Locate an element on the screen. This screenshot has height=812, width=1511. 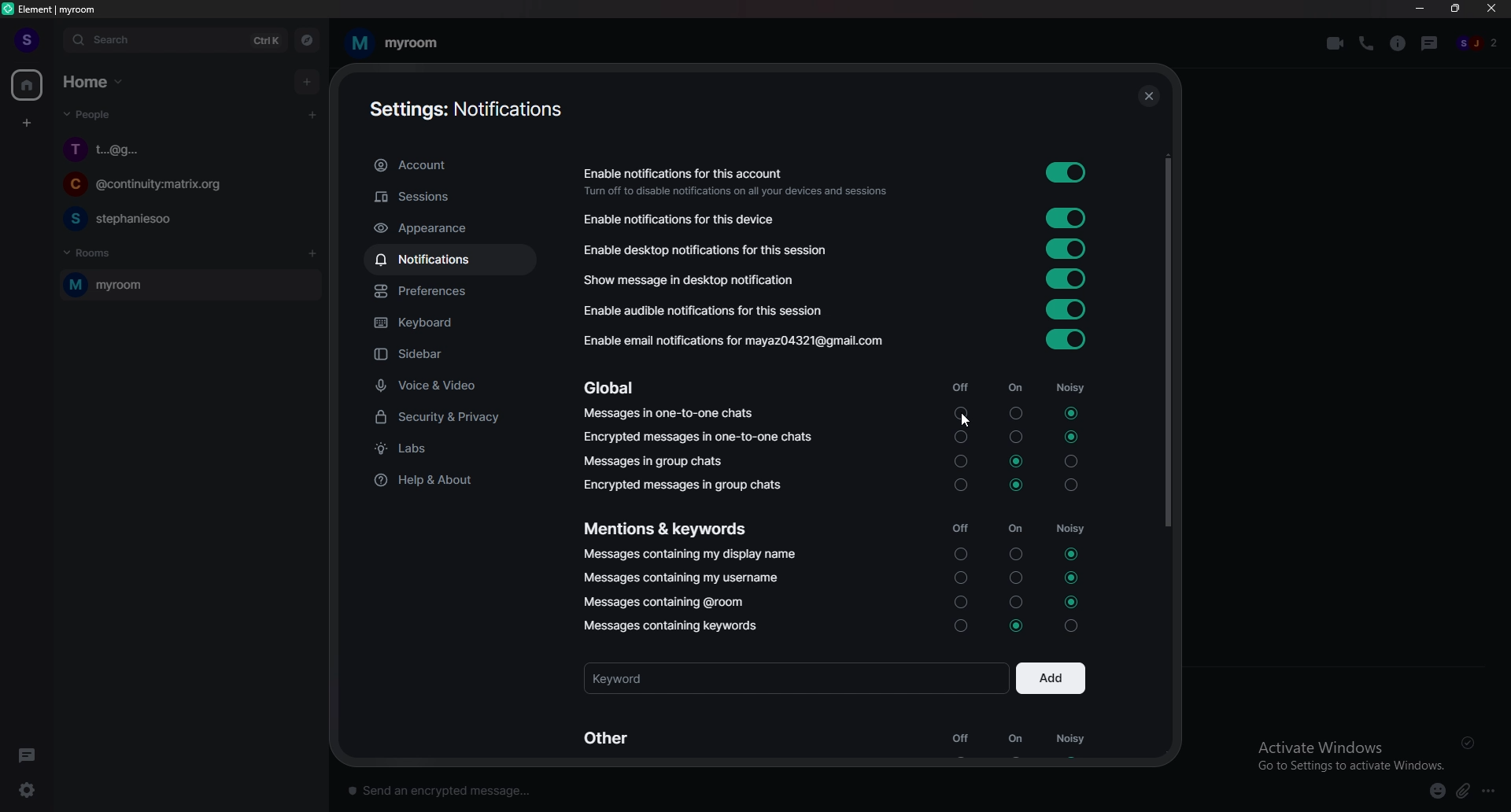
thread is located at coordinates (28, 753).